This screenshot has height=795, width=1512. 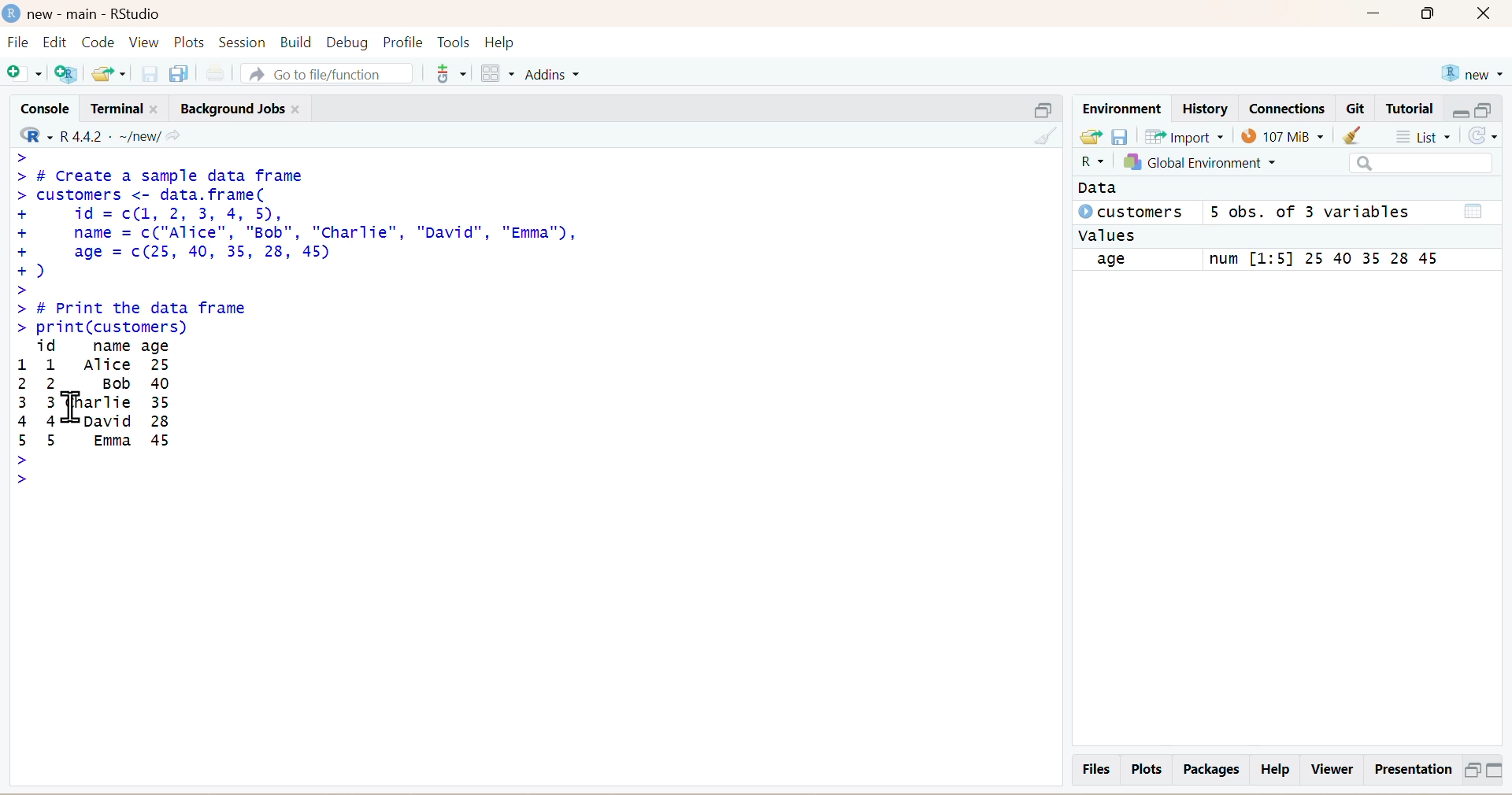 I want to click on Background Jobs, so click(x=243, y=105).